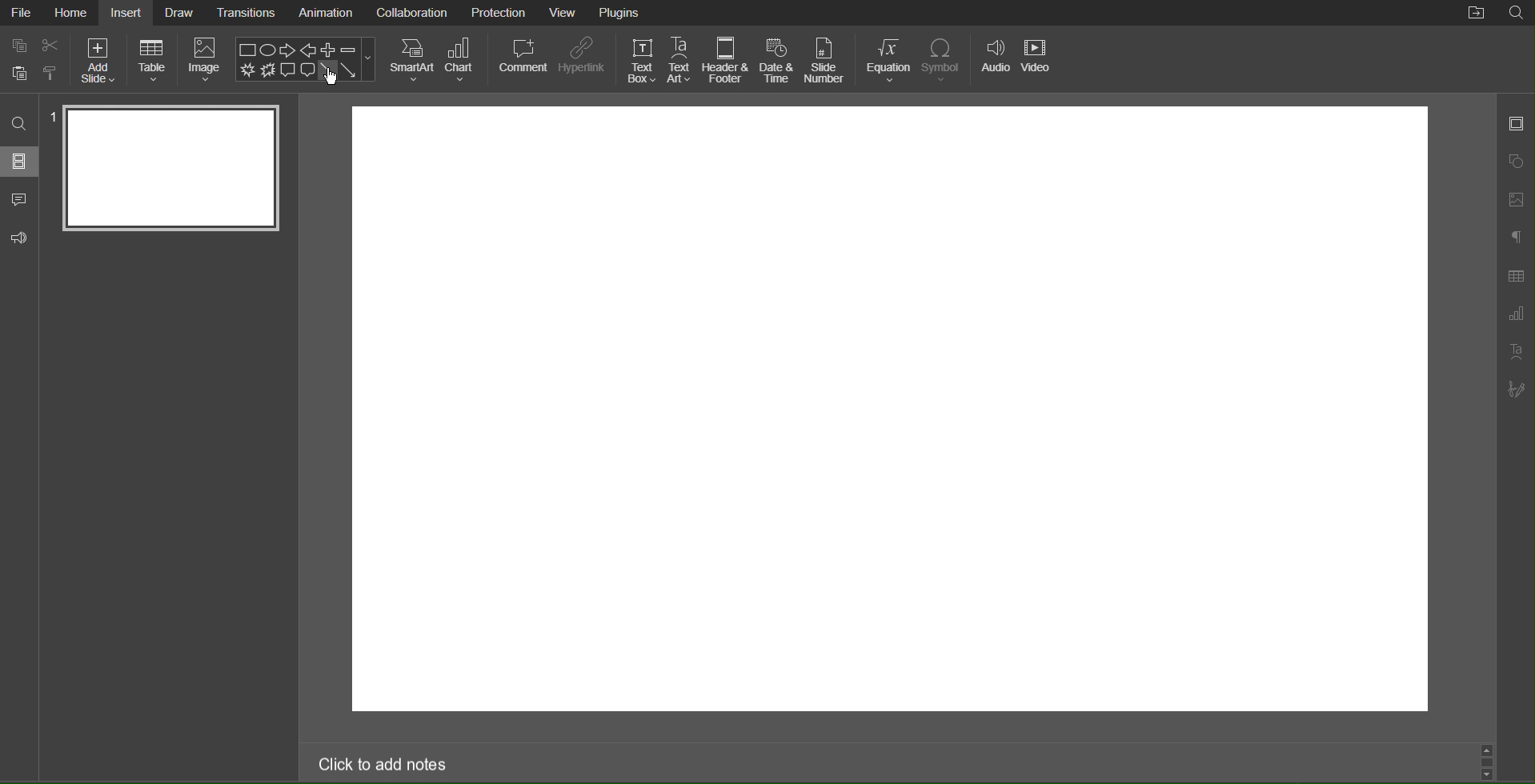  Describe the element at coordinates (1517, 158) in the screenshot. I see `Shape Settings` at that location.